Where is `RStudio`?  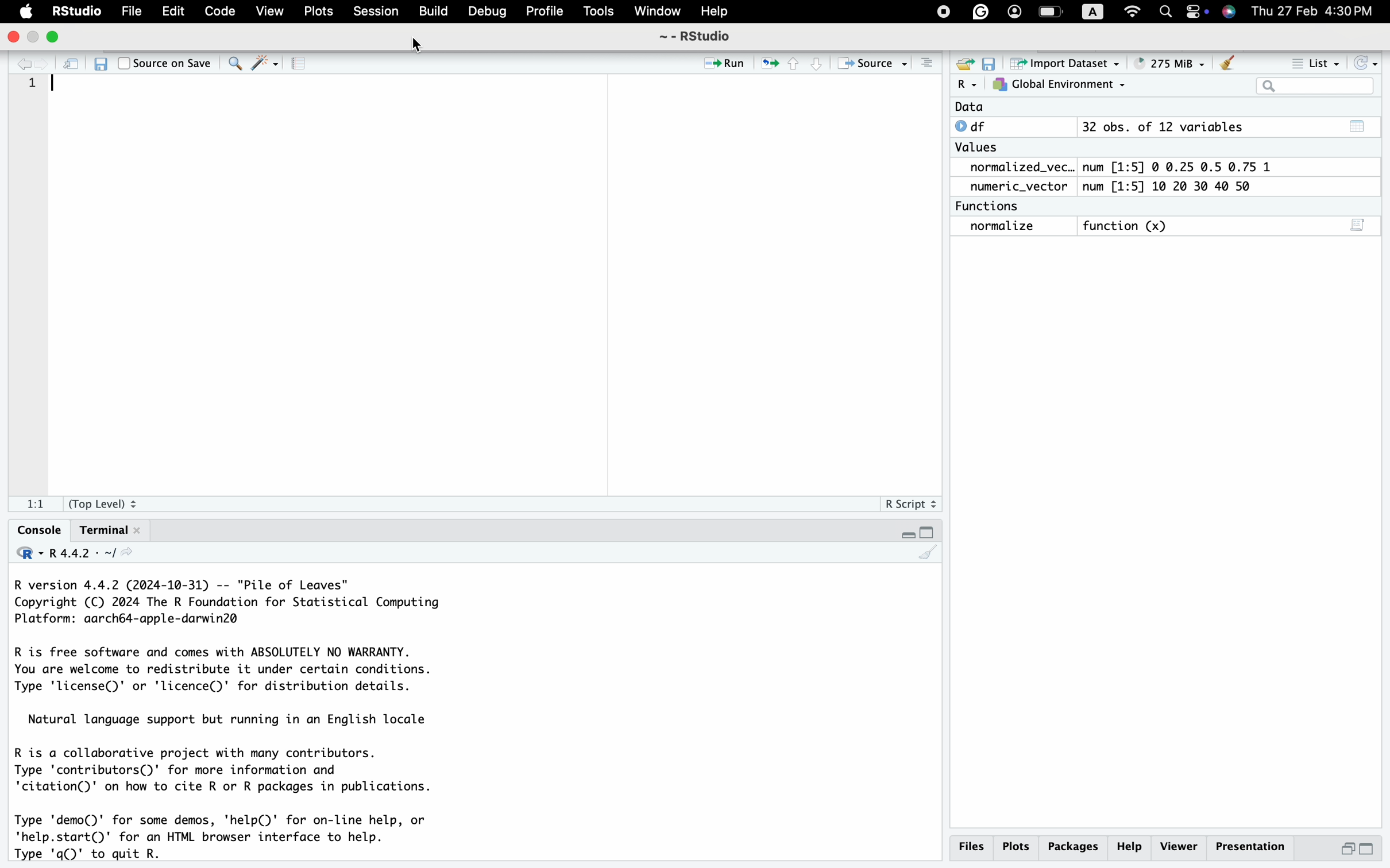 RStudio is located at coordinates (77, 10).